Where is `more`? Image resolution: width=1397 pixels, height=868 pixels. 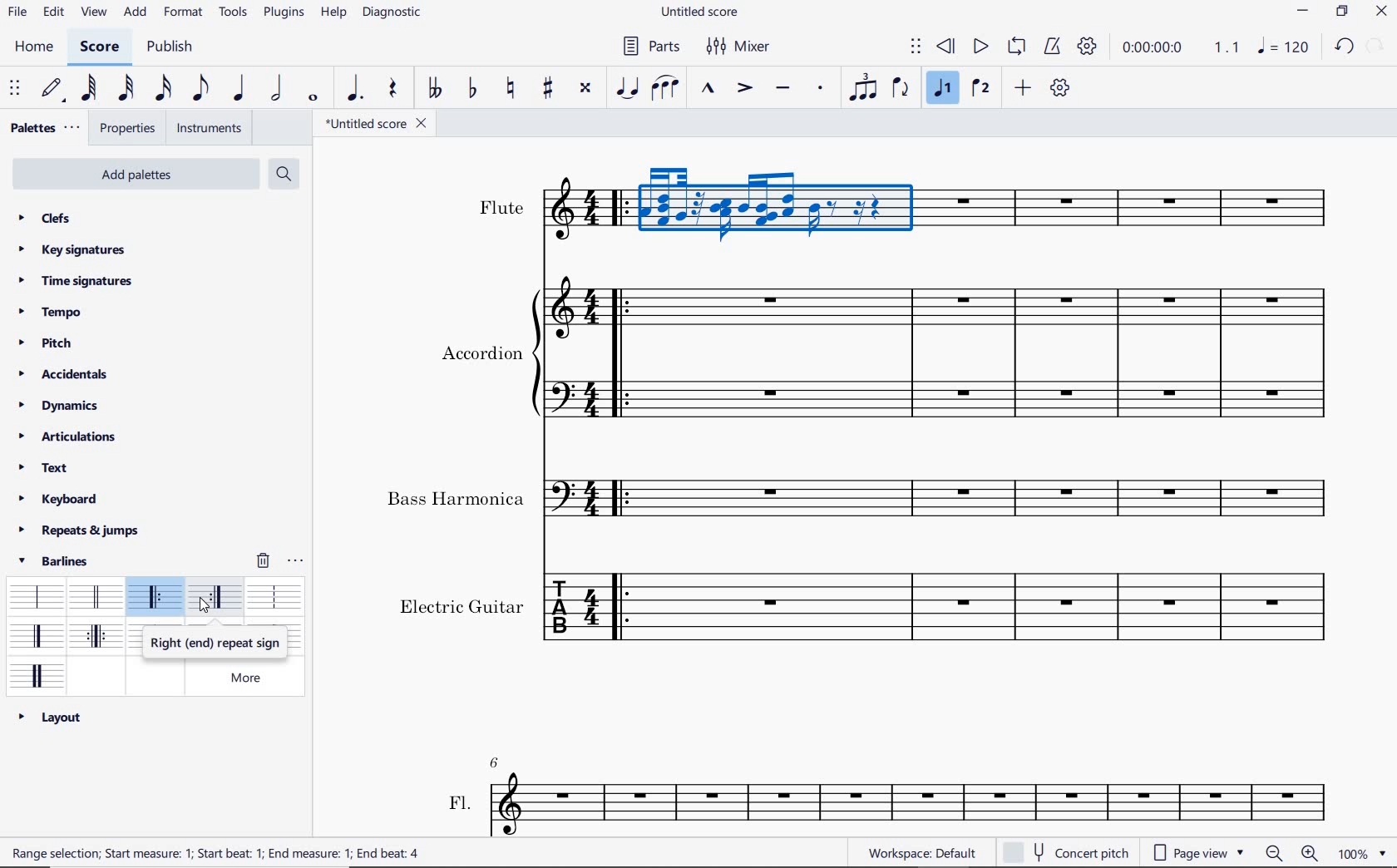
more is located at coordinates (254, 678).